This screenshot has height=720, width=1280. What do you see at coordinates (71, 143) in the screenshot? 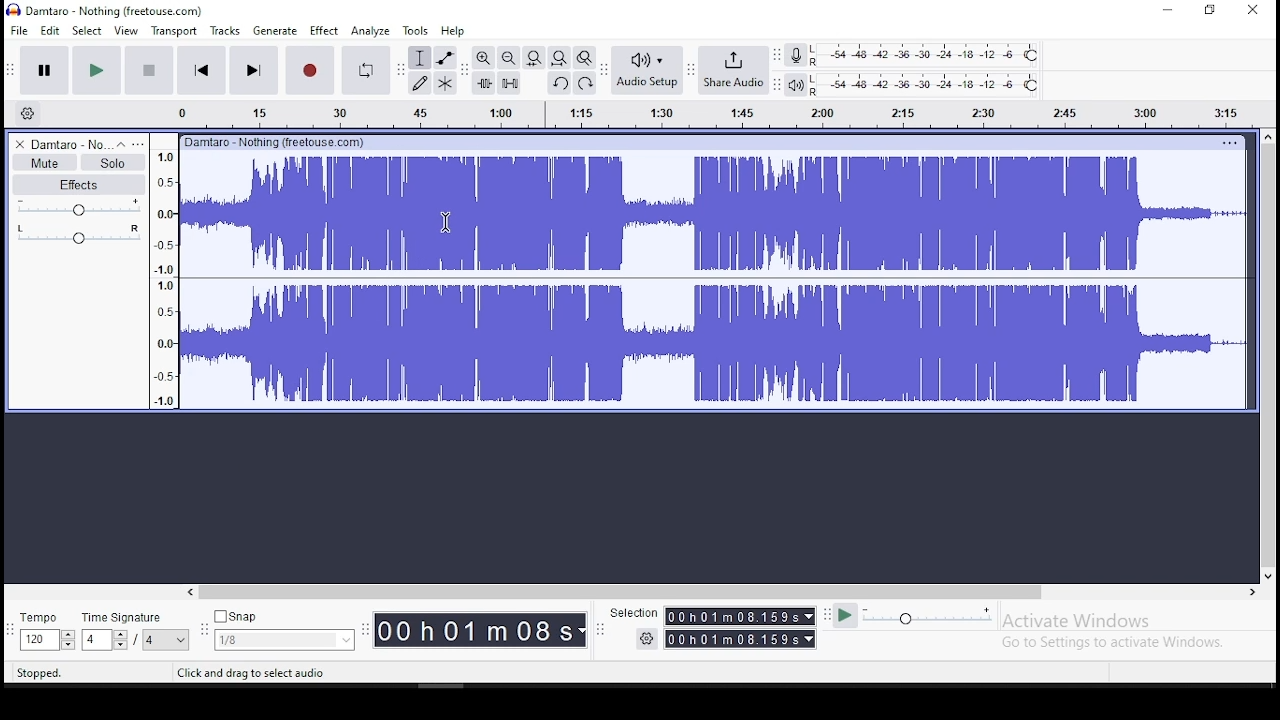
I see `Damtaro - No` at bounding box center [71, 143].